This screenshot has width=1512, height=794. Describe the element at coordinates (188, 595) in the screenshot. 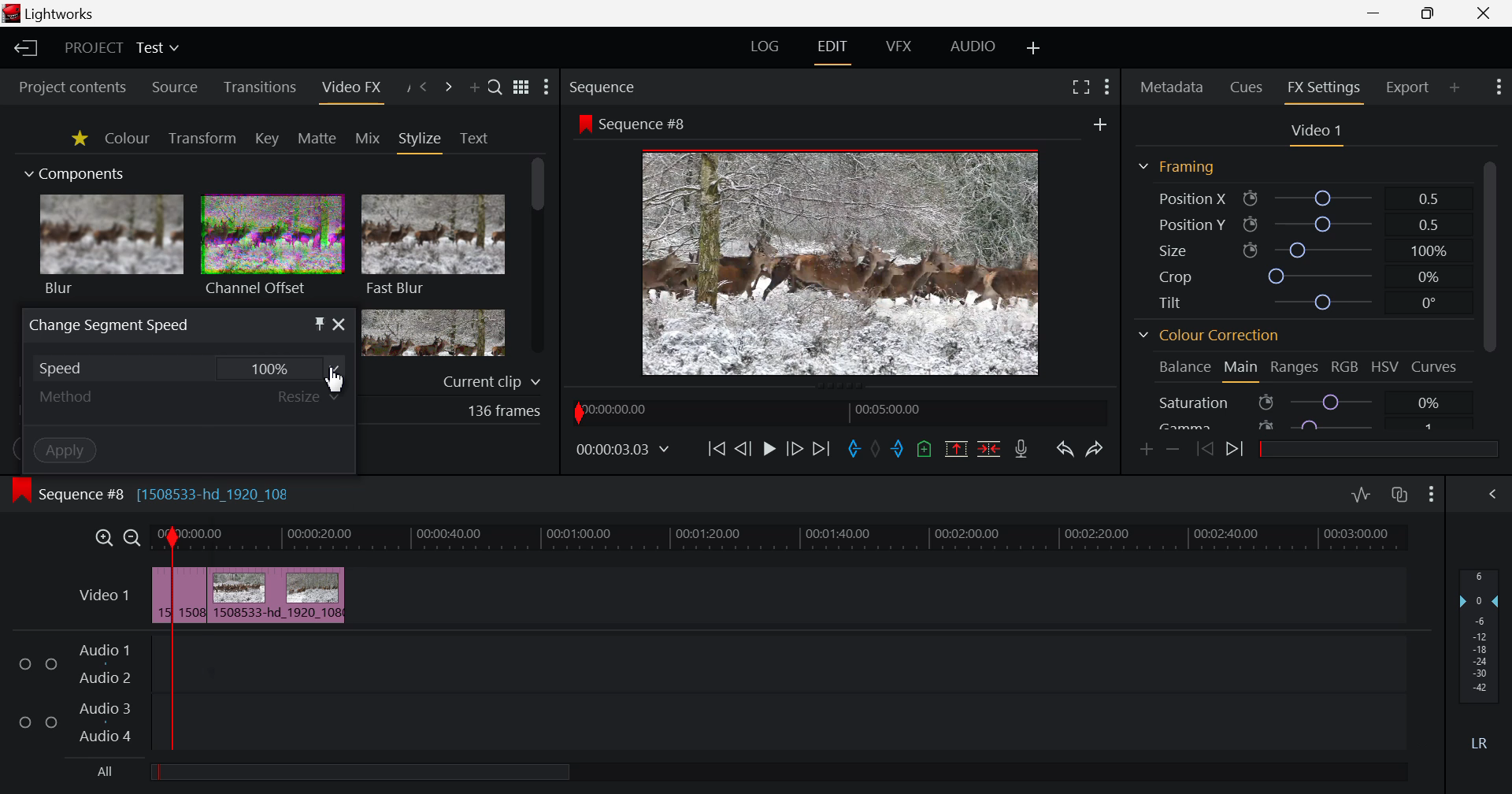

I see `Cursor on Clipped Sequence` at that location.